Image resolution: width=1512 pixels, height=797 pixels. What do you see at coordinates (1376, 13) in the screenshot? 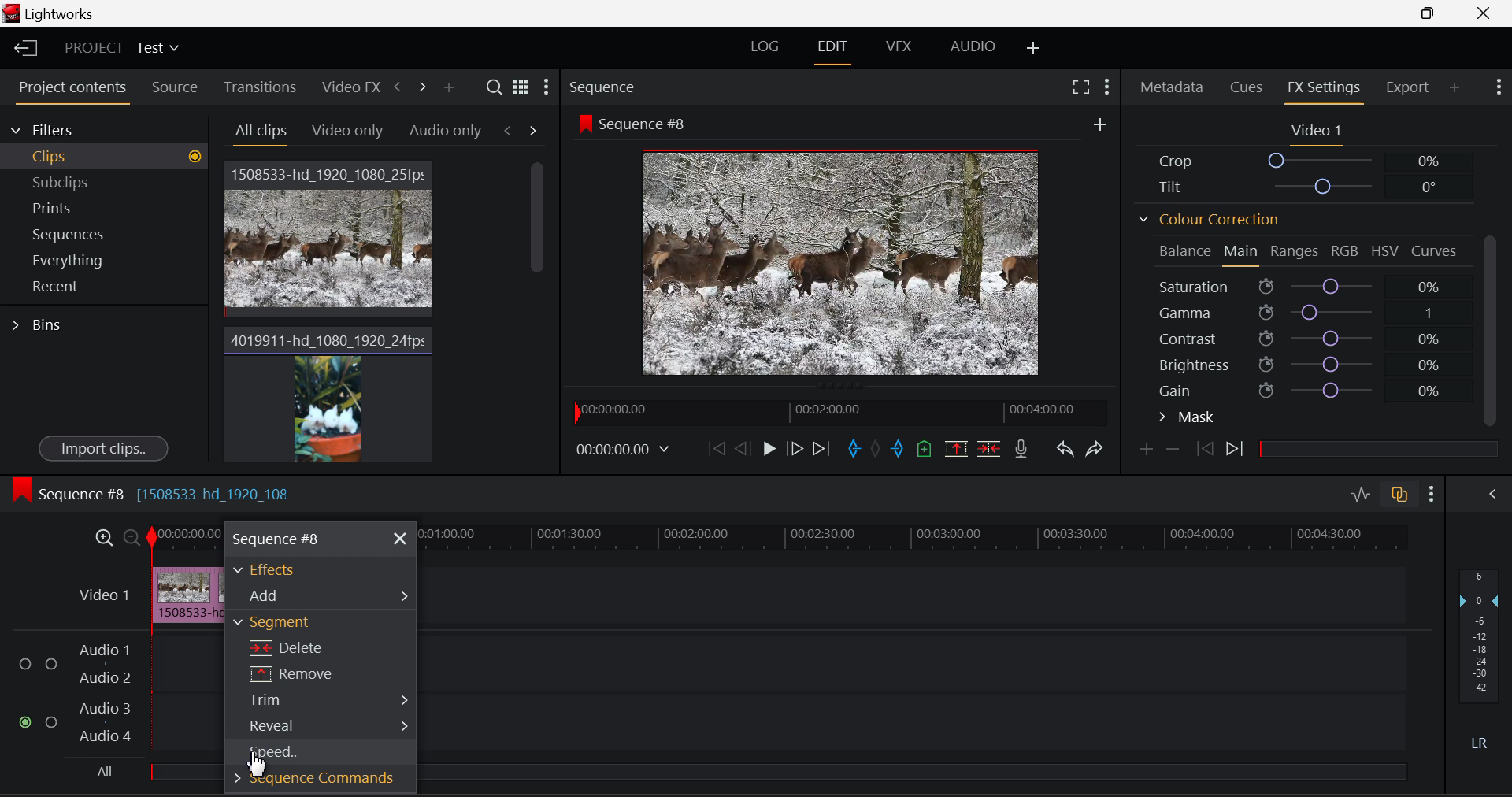
I see `Restore Down` at bounding box center [1376, 13].